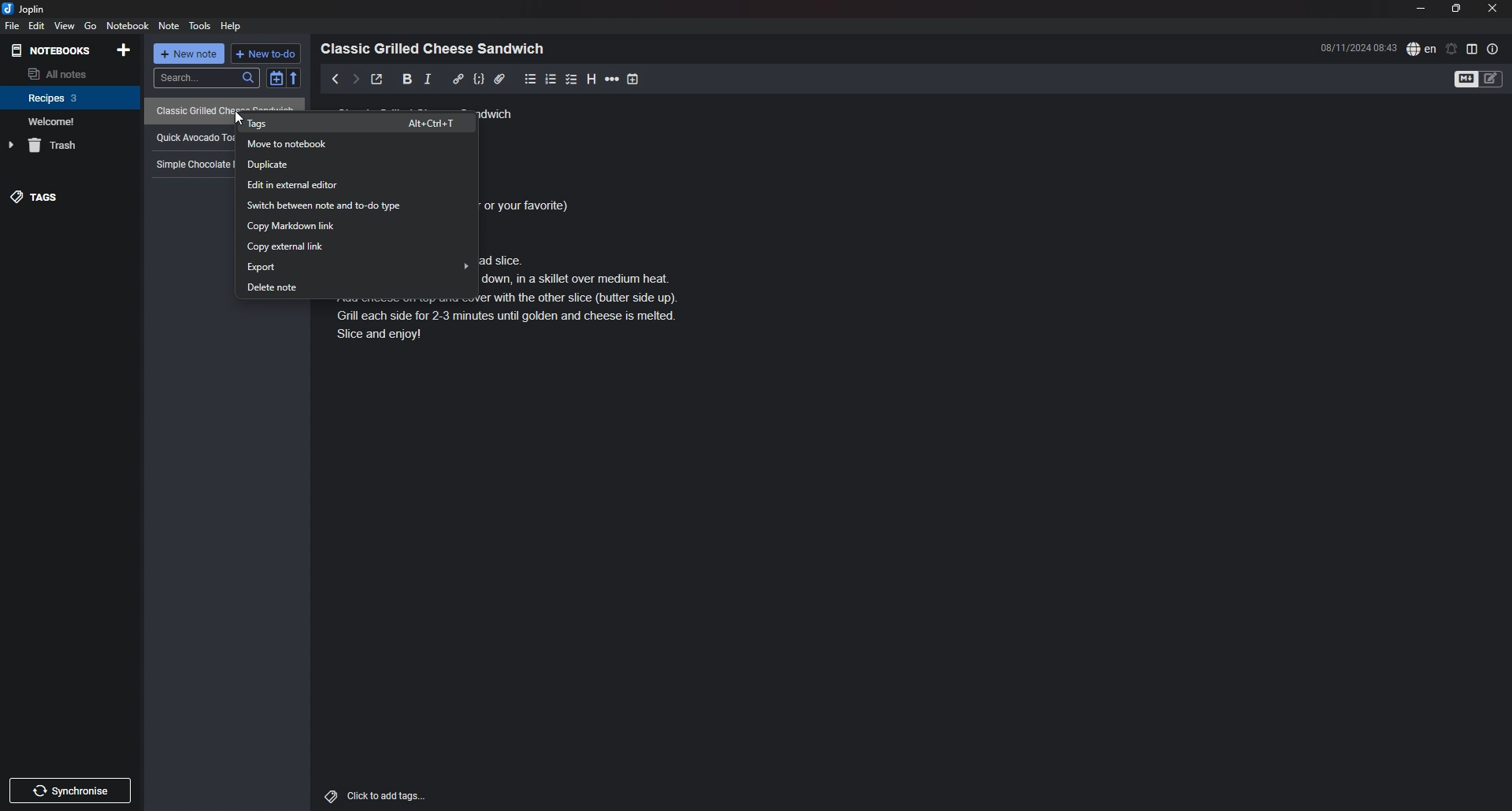  I want to click on code, so click(478, 79).